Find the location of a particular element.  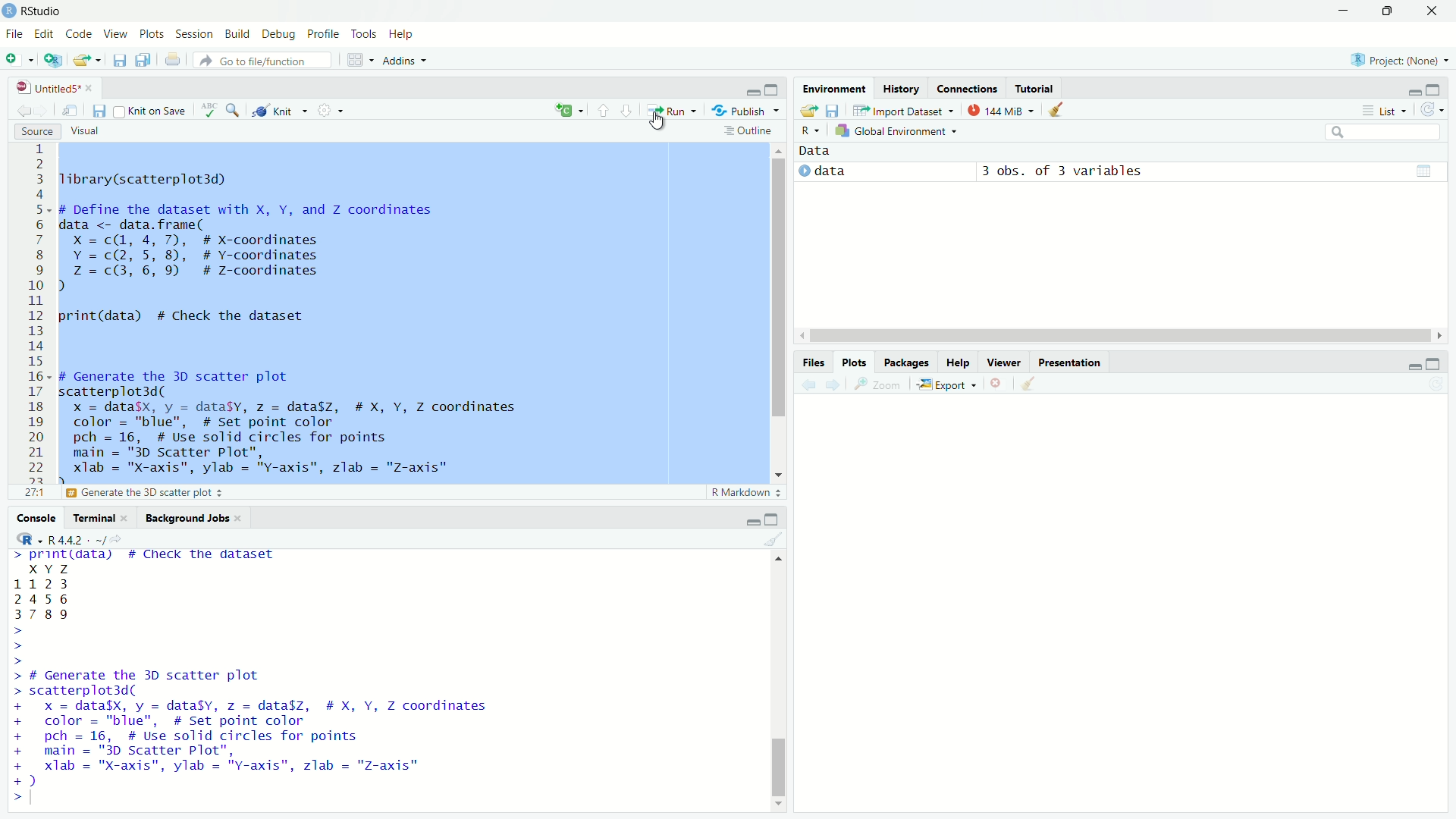

R markdown is located at coordinates (746, 493).